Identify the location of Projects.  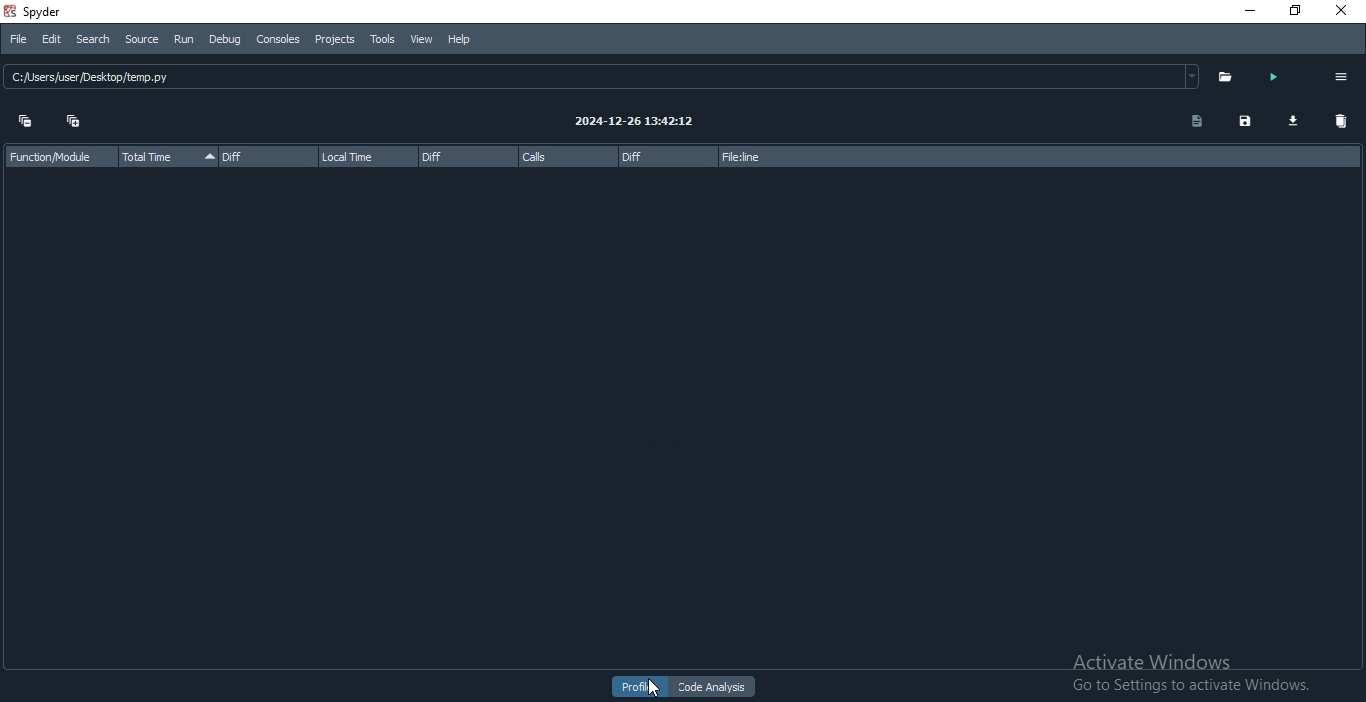
(333, 39).